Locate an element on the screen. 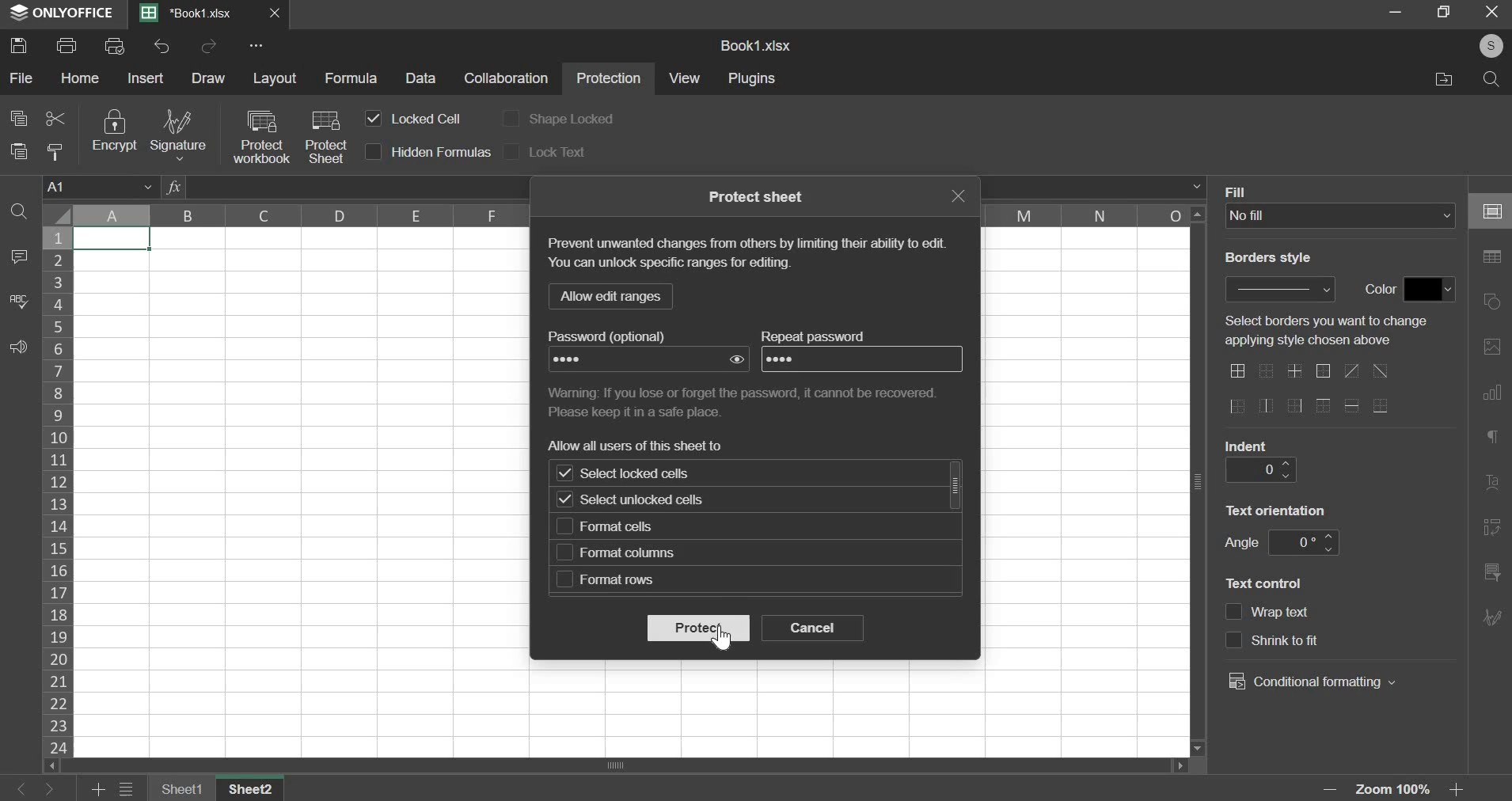 The height and width of the screenshot is (801, 1512). border options is located at coordinates (1380, 406).